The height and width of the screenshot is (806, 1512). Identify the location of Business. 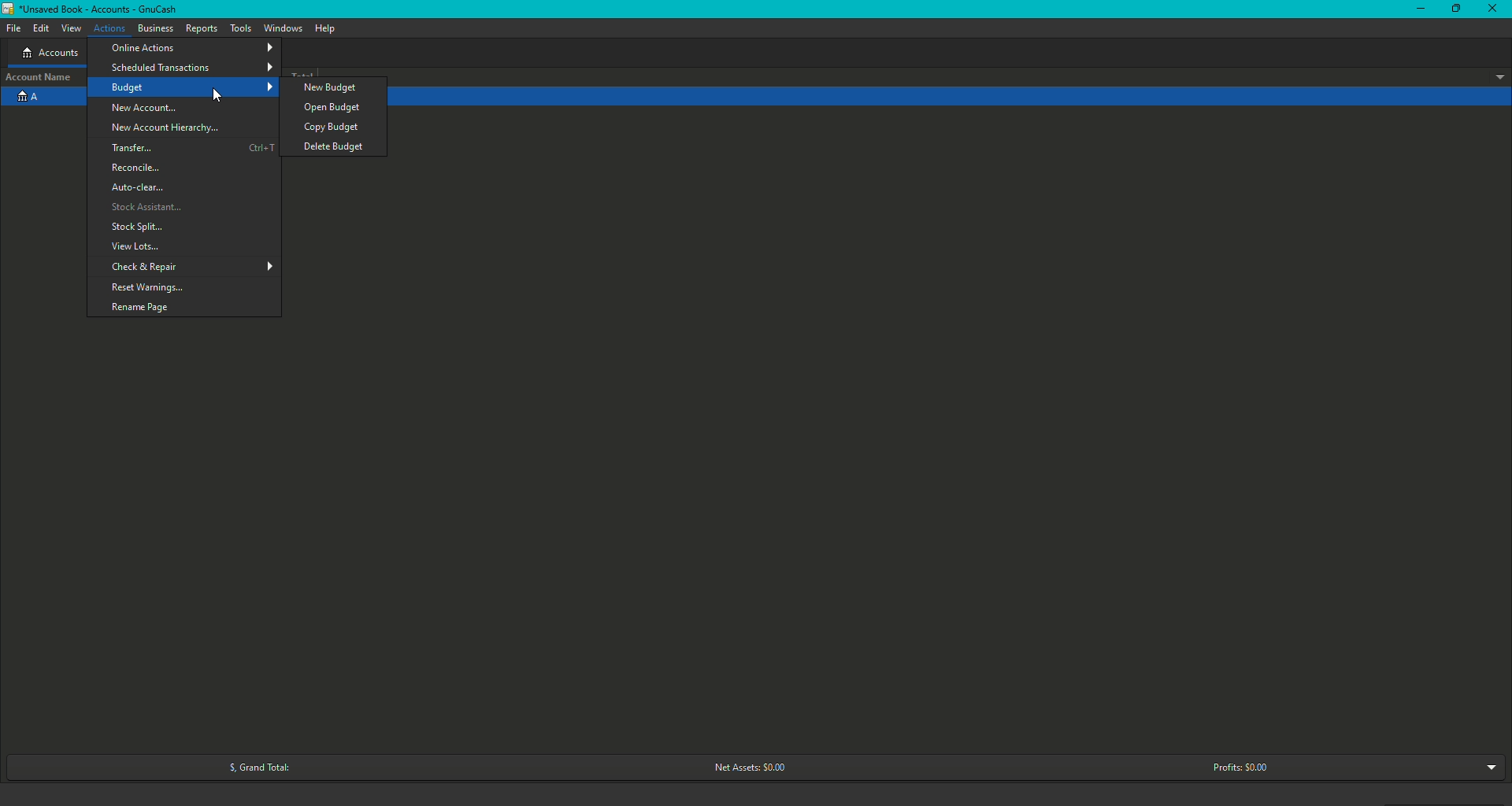
(155, 28).